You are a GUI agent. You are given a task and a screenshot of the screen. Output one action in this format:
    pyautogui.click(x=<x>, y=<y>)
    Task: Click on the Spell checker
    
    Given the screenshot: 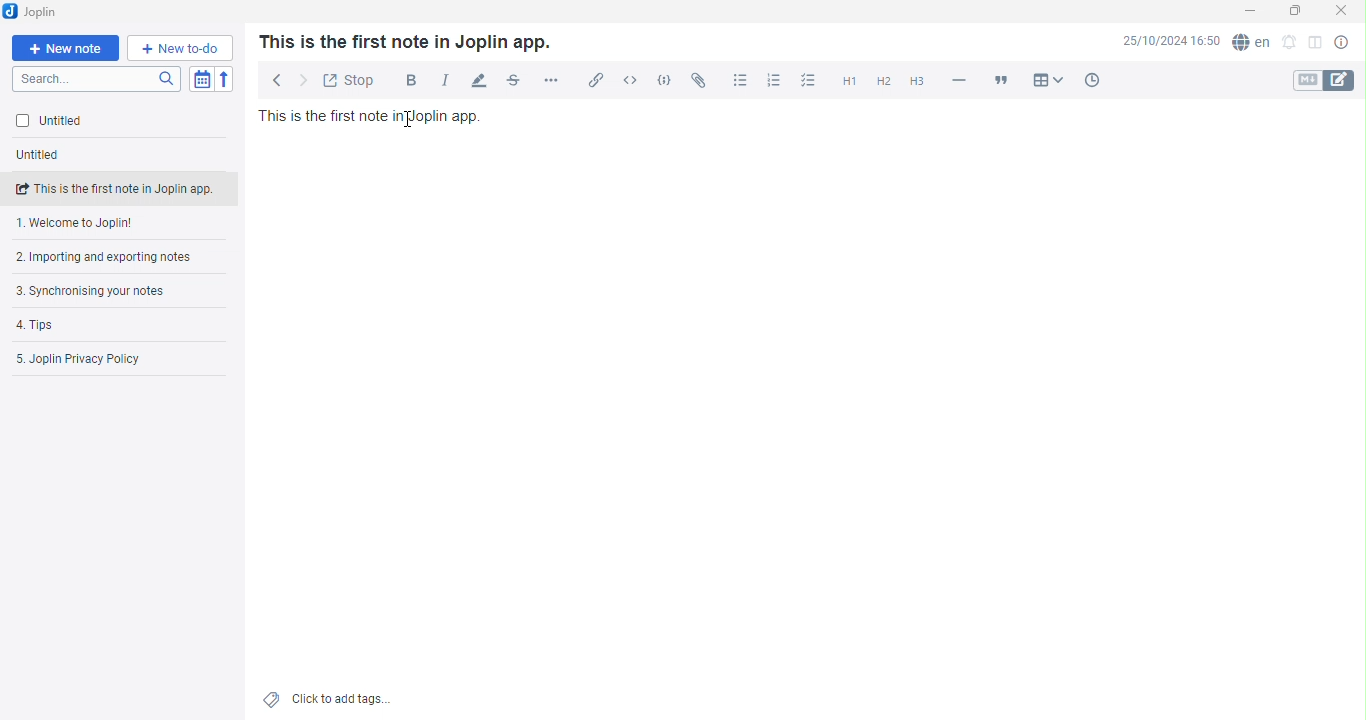 What is the action you would take?
    pyautogui.click(x=1250, y=45)
    